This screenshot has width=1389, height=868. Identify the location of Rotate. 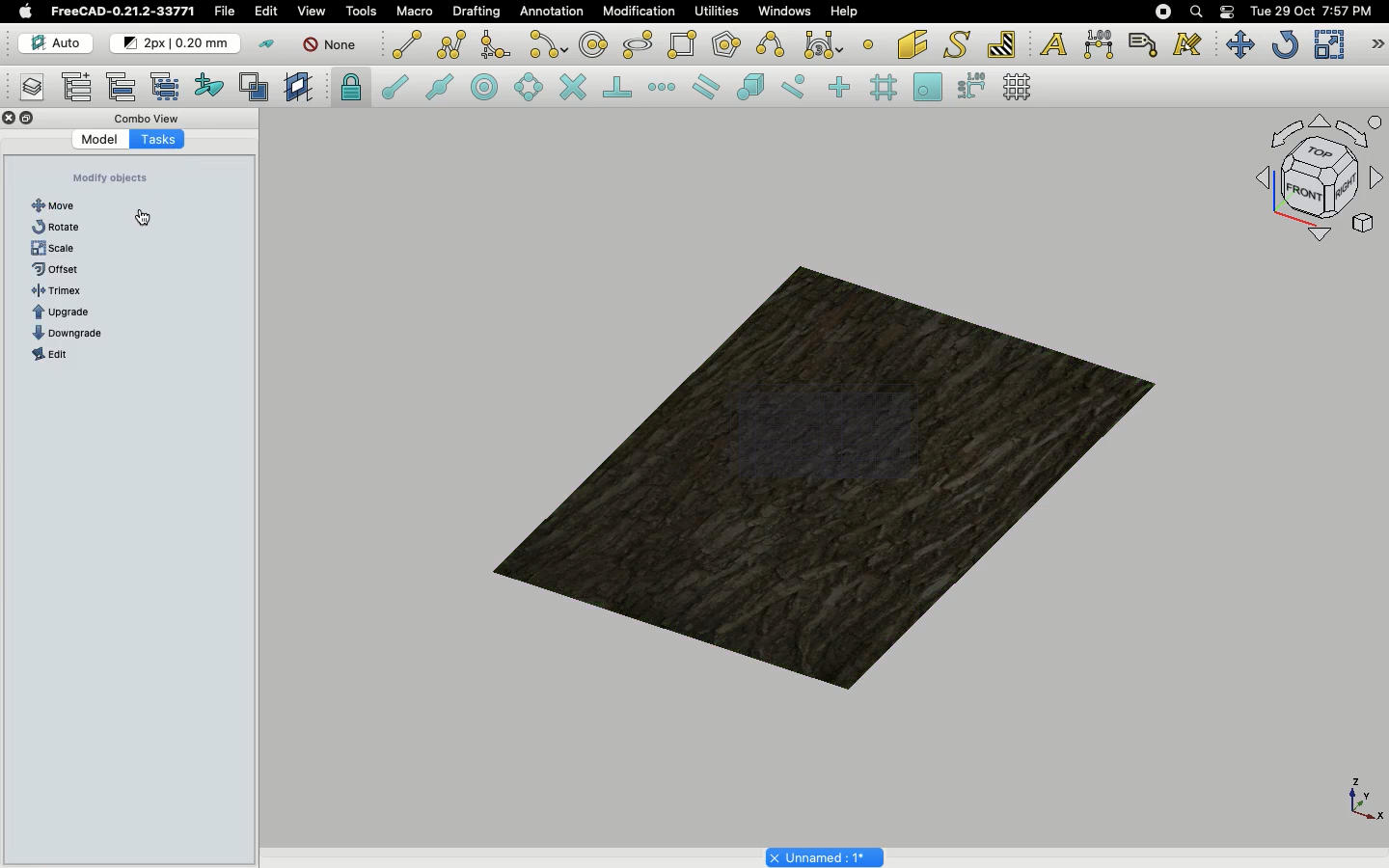
(58, 227).